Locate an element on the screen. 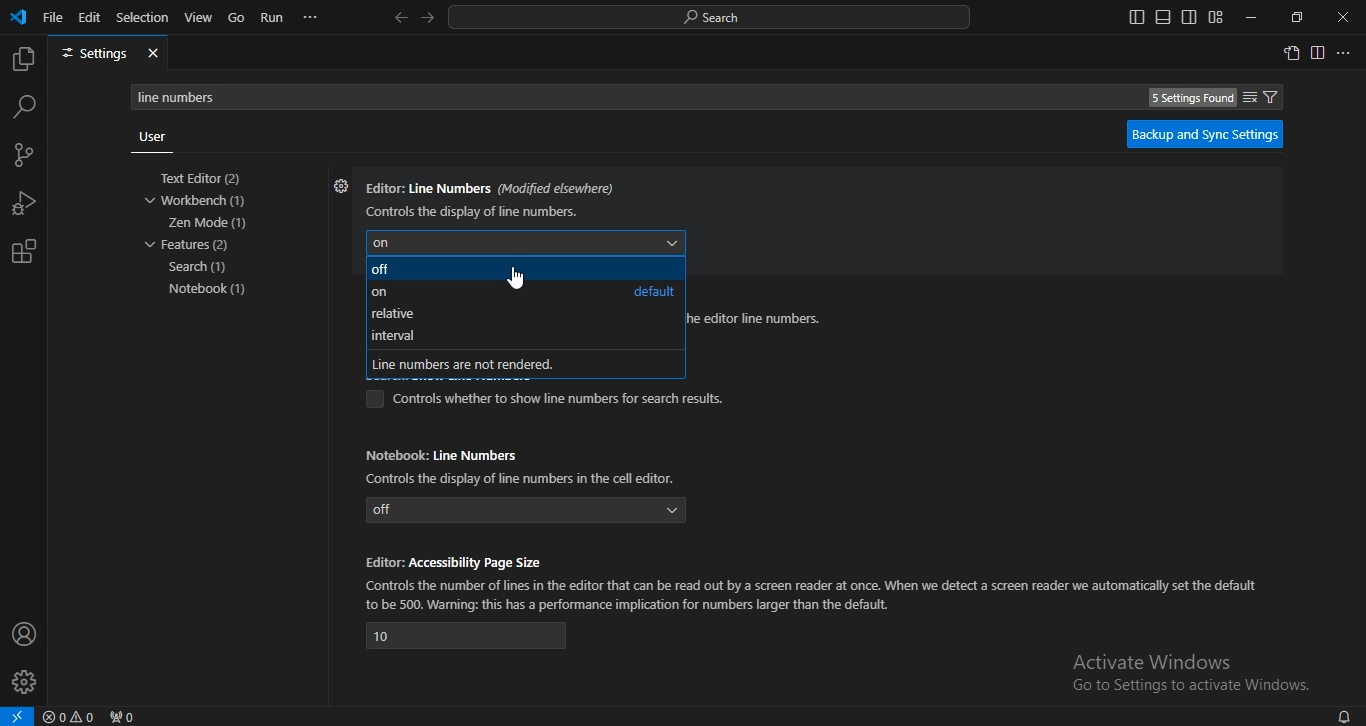 Image resolution: width=1366 pixels, height=726 pixels. off is located at coordinates (383, 271).